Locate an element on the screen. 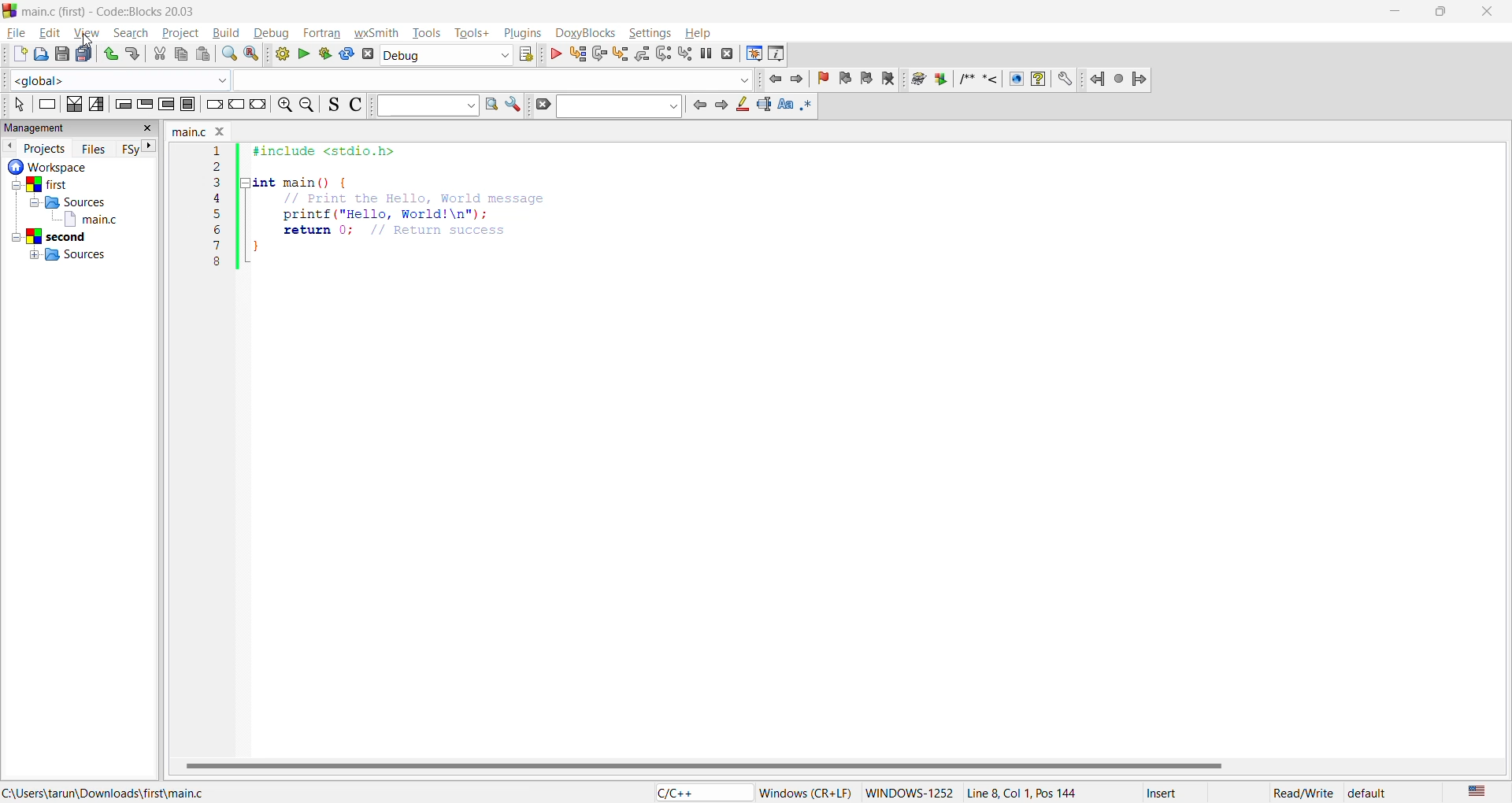  jump back is located at coordinates (775, 79).